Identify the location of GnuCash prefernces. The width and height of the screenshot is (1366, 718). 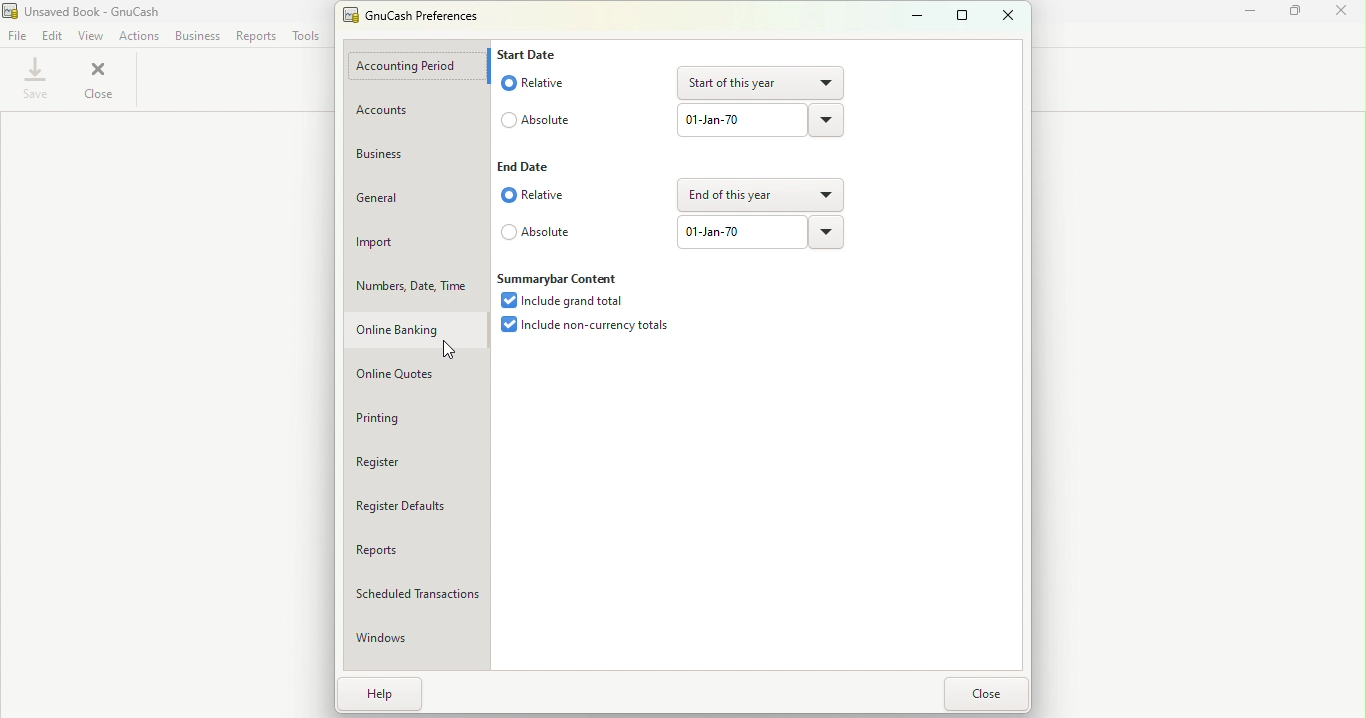
(419, 17).